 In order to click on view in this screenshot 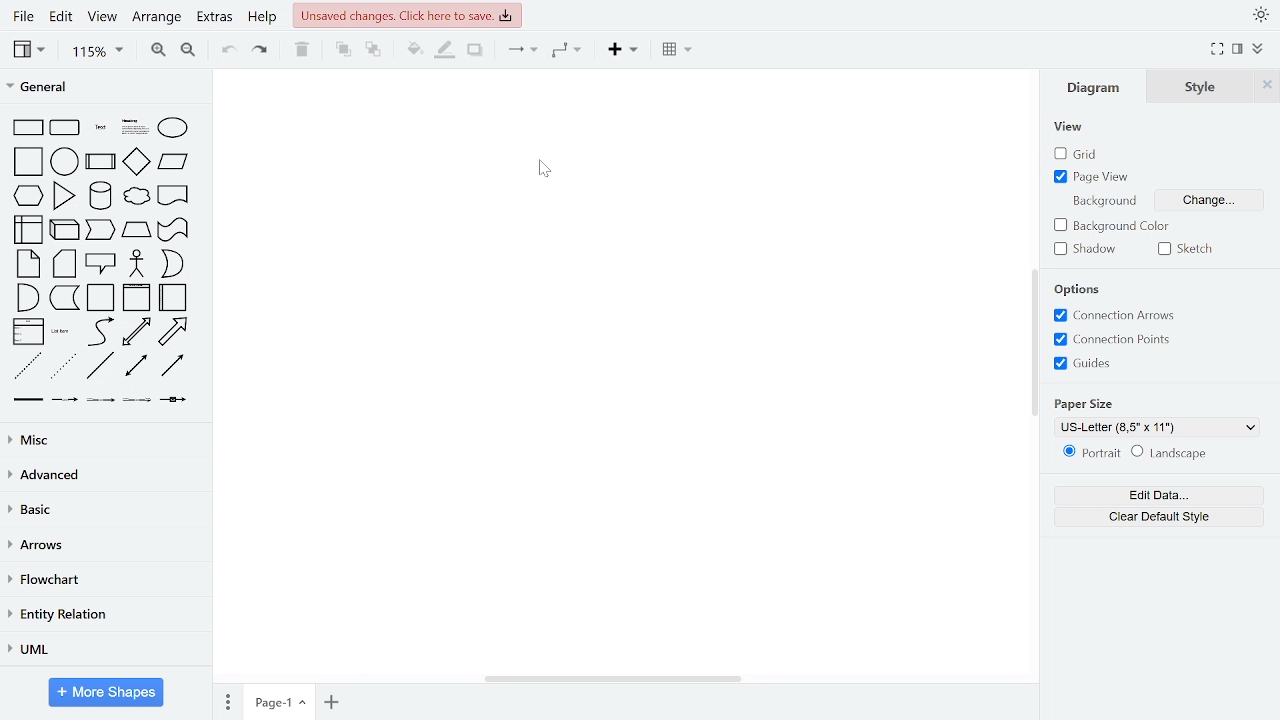, I will do `click(1068, 129)`.